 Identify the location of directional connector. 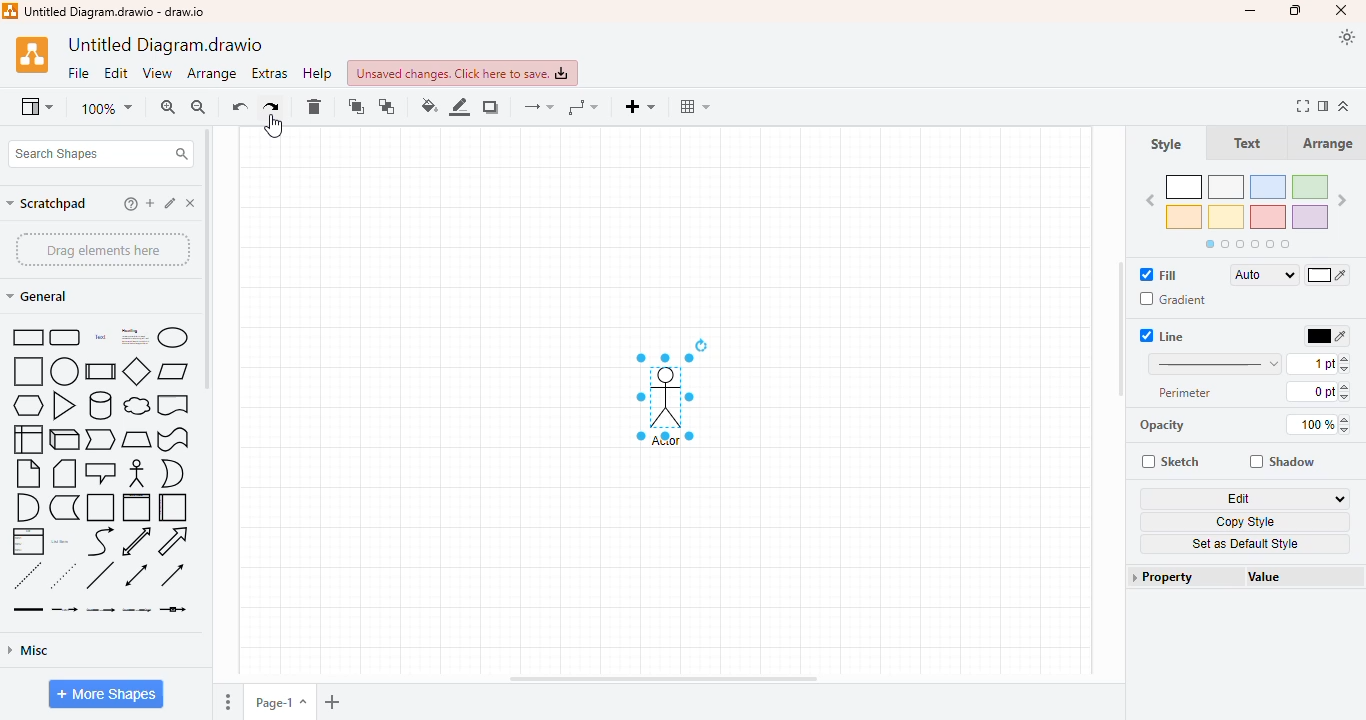
(172, 575).